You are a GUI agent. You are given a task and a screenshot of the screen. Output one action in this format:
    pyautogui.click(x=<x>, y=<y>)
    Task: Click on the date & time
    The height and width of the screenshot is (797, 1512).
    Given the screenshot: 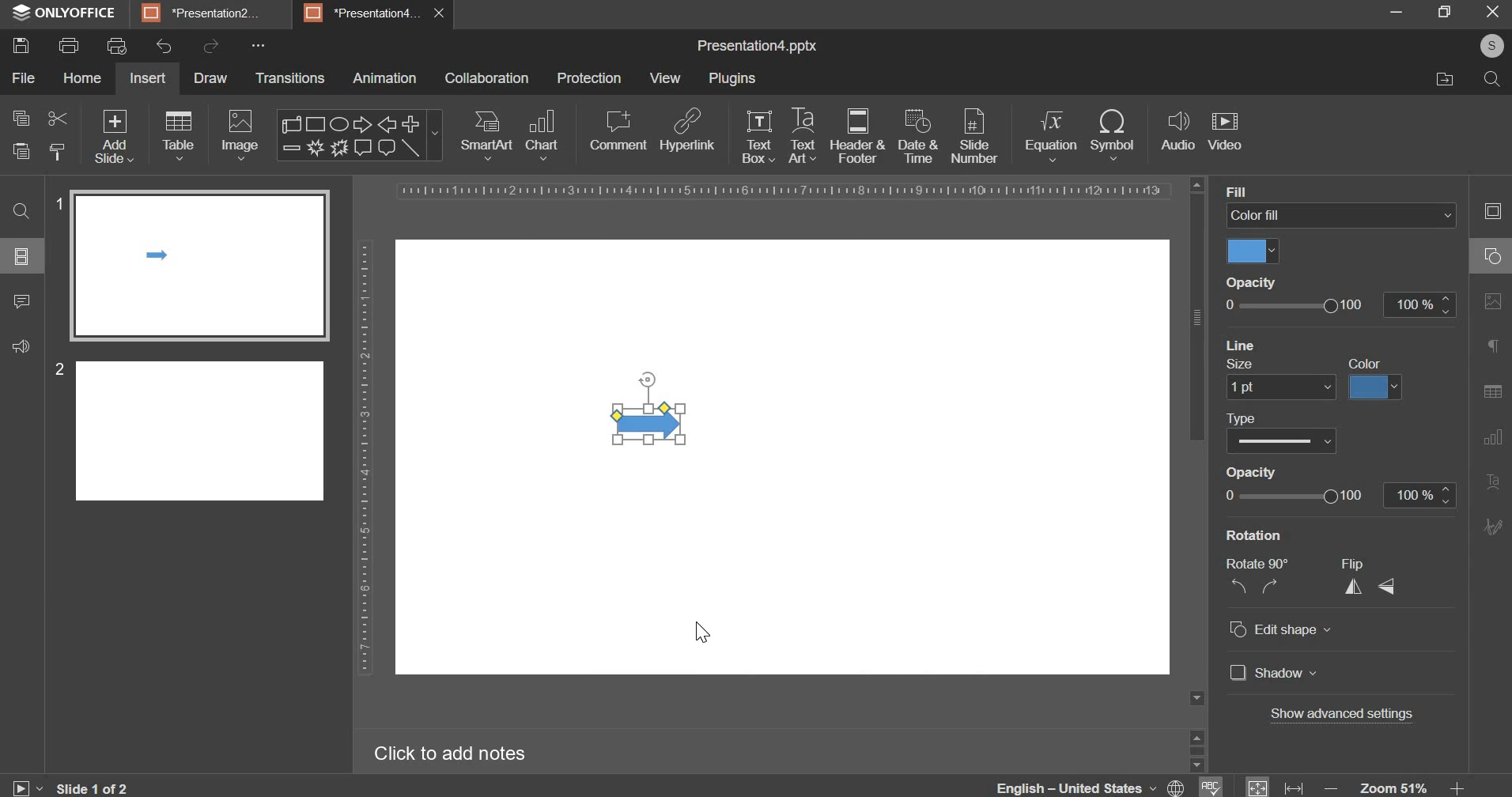 What is the action you would take?
    pyautogui.click(x=920, y=138)
    